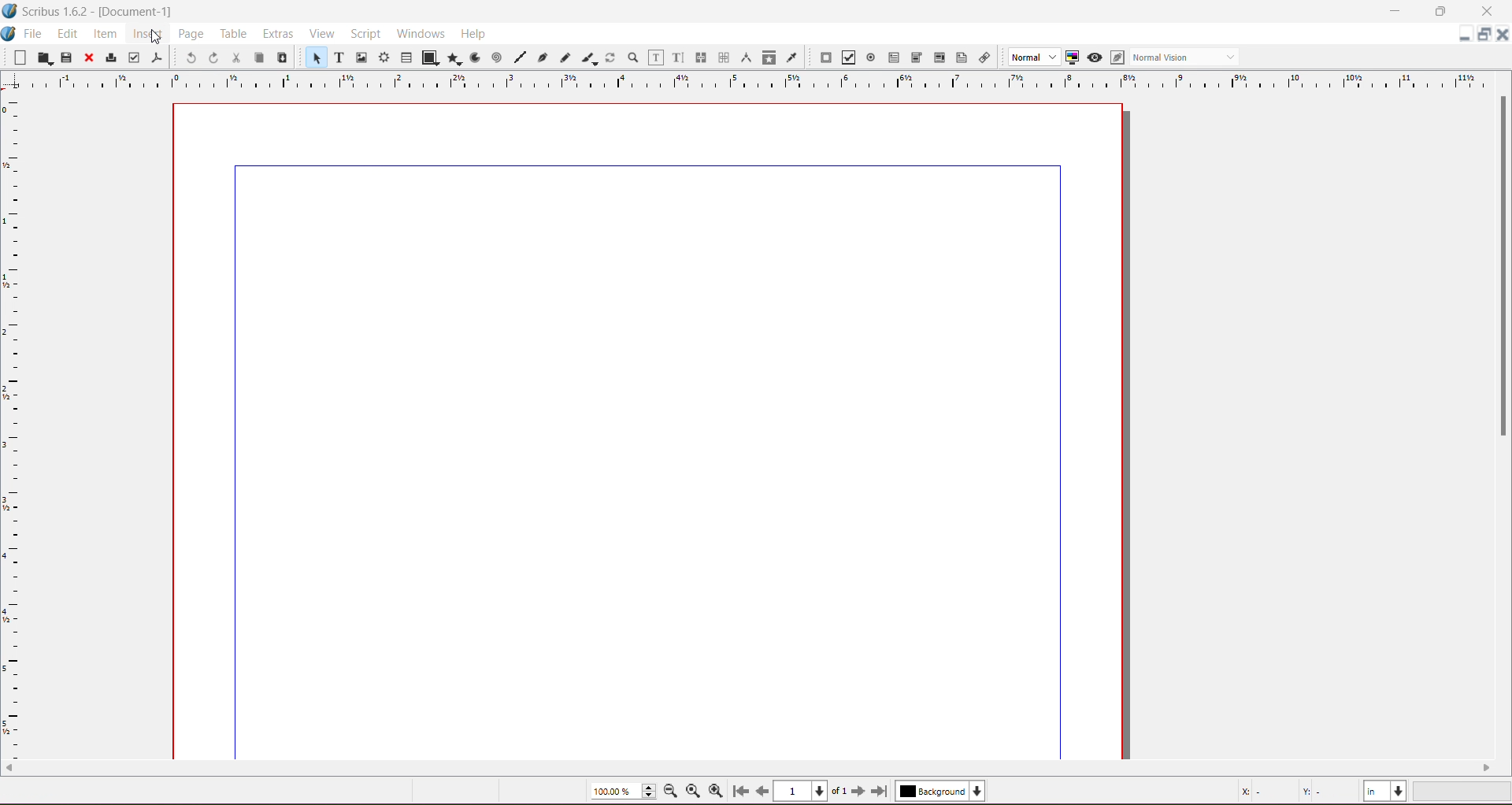 The height and width of the screenshot is (805, 1512). What do you see at coordinates (757, 80) in the screenshot?
I see `Horizontal Ruler` at bounding box center [757, 80].